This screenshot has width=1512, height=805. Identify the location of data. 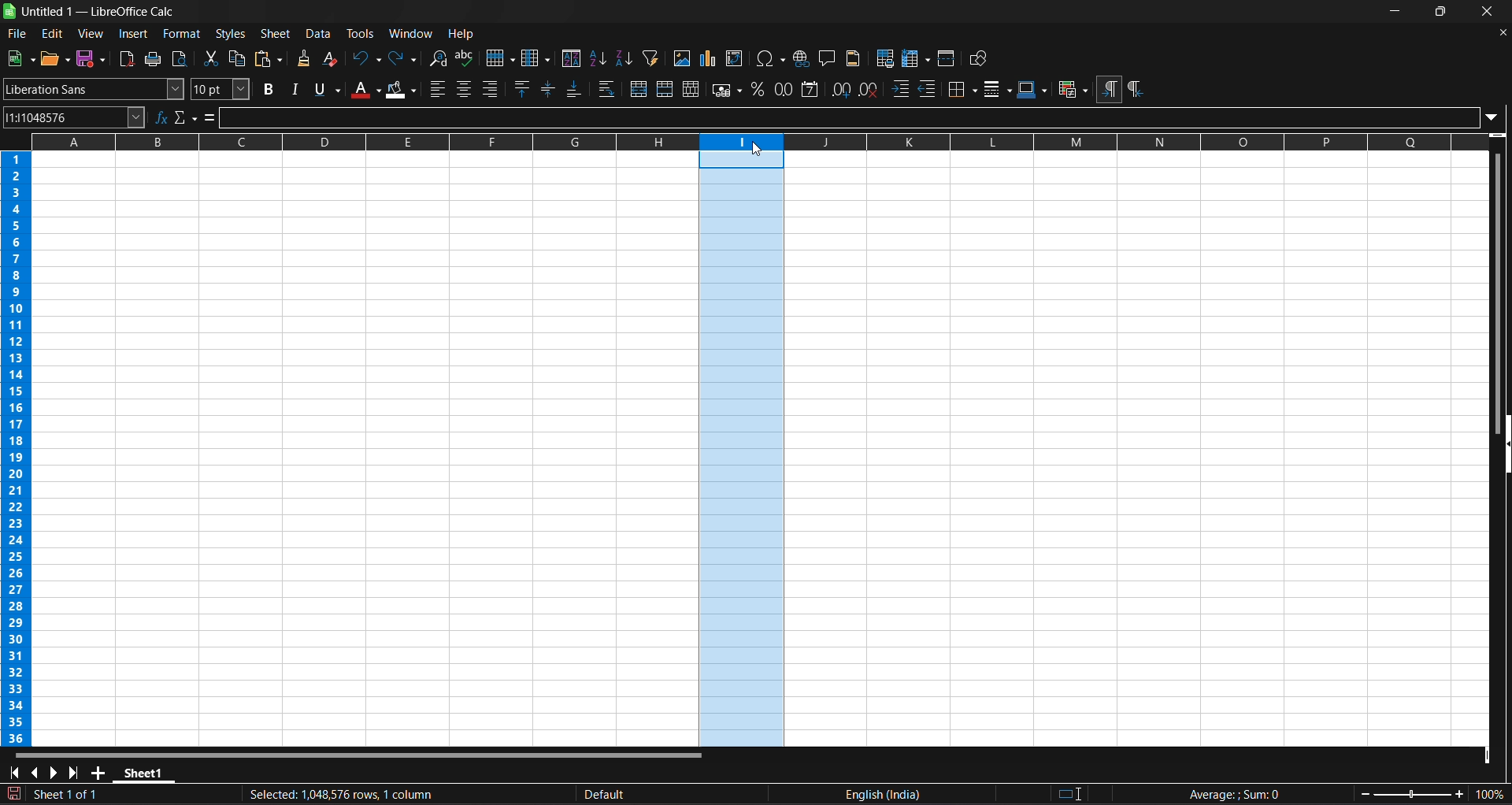
(320, 33).